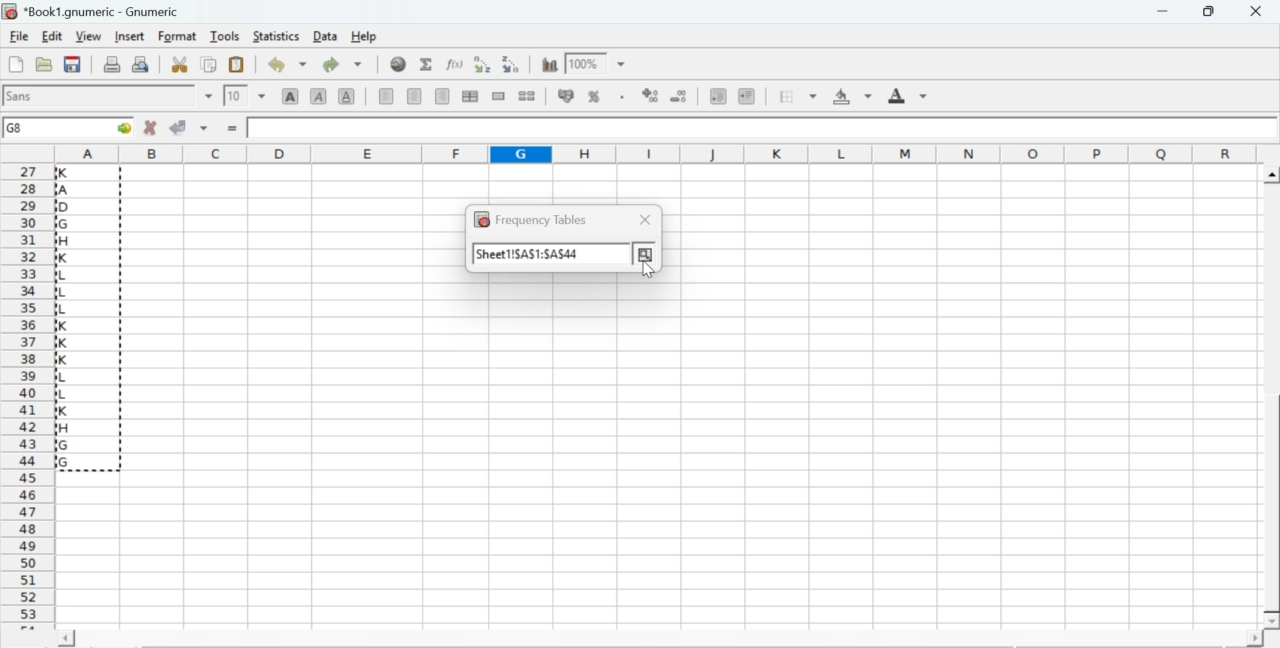  What do you see at coordinates (550, 63) in the screenshot?
I see `insert chart` at bounding box center [550, 63].